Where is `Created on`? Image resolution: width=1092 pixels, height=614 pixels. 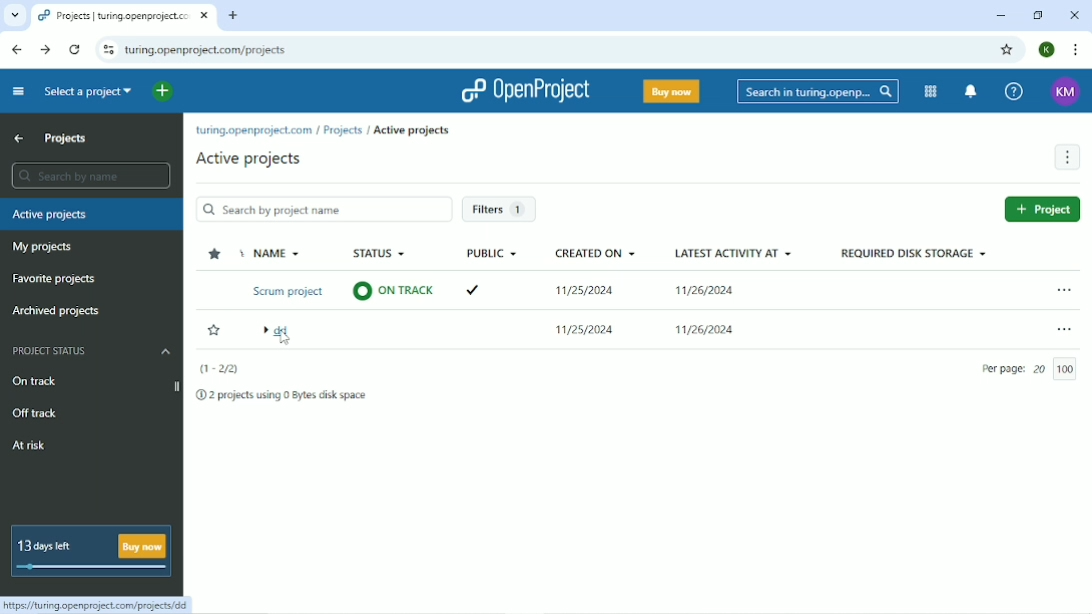 Created on is located at coordinates (597, 252).